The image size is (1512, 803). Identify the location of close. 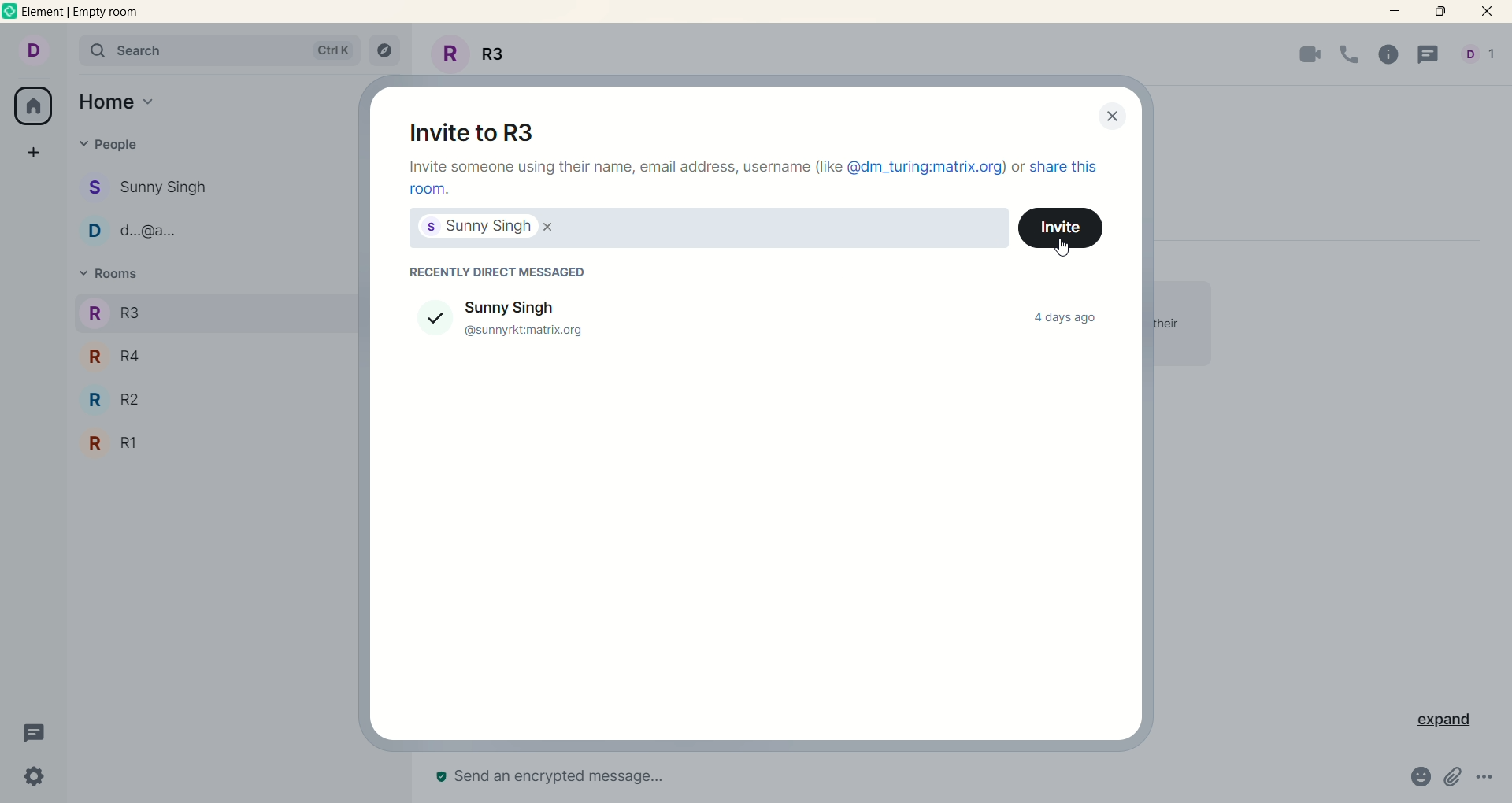
(1484, 12).